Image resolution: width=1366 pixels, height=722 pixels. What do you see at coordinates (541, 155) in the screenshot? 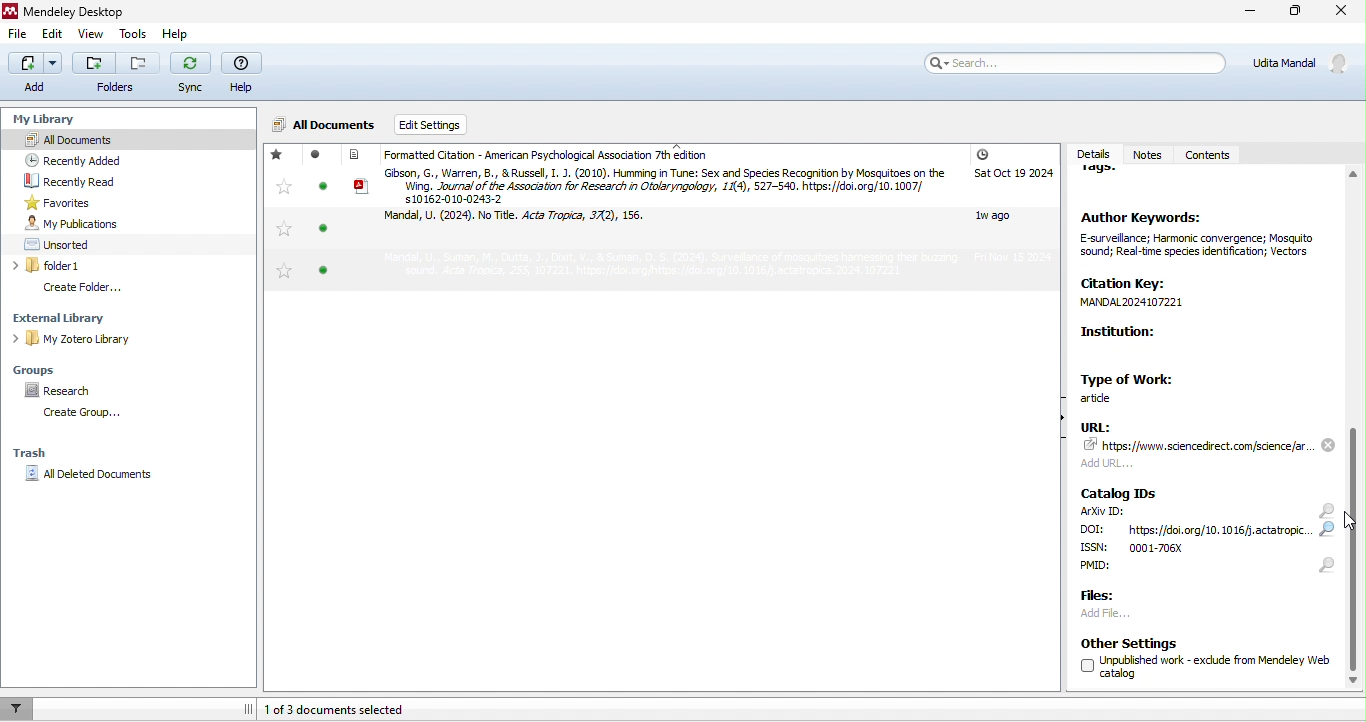
I see `formatted citation` at bounding box center [541, 155].